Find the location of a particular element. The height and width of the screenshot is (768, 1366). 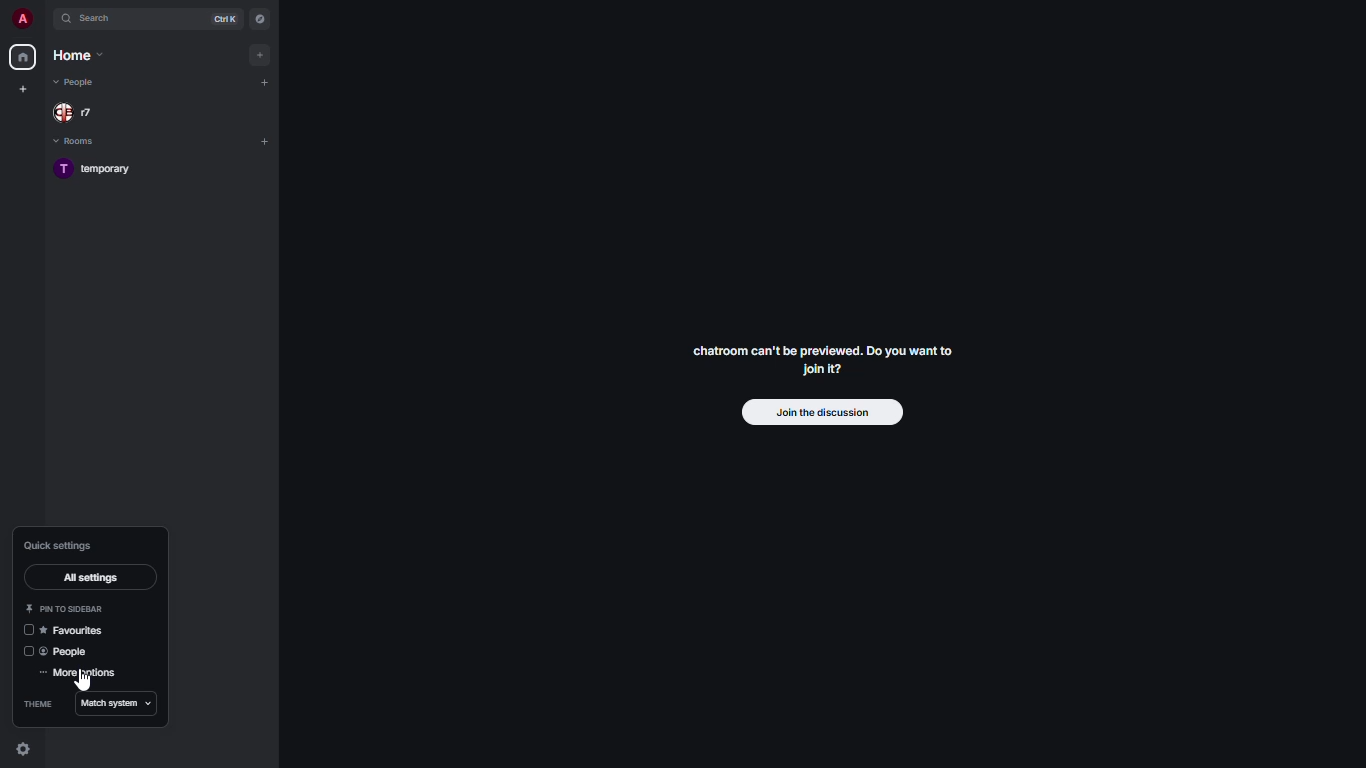

create new space is located at coordinates (24, 88).